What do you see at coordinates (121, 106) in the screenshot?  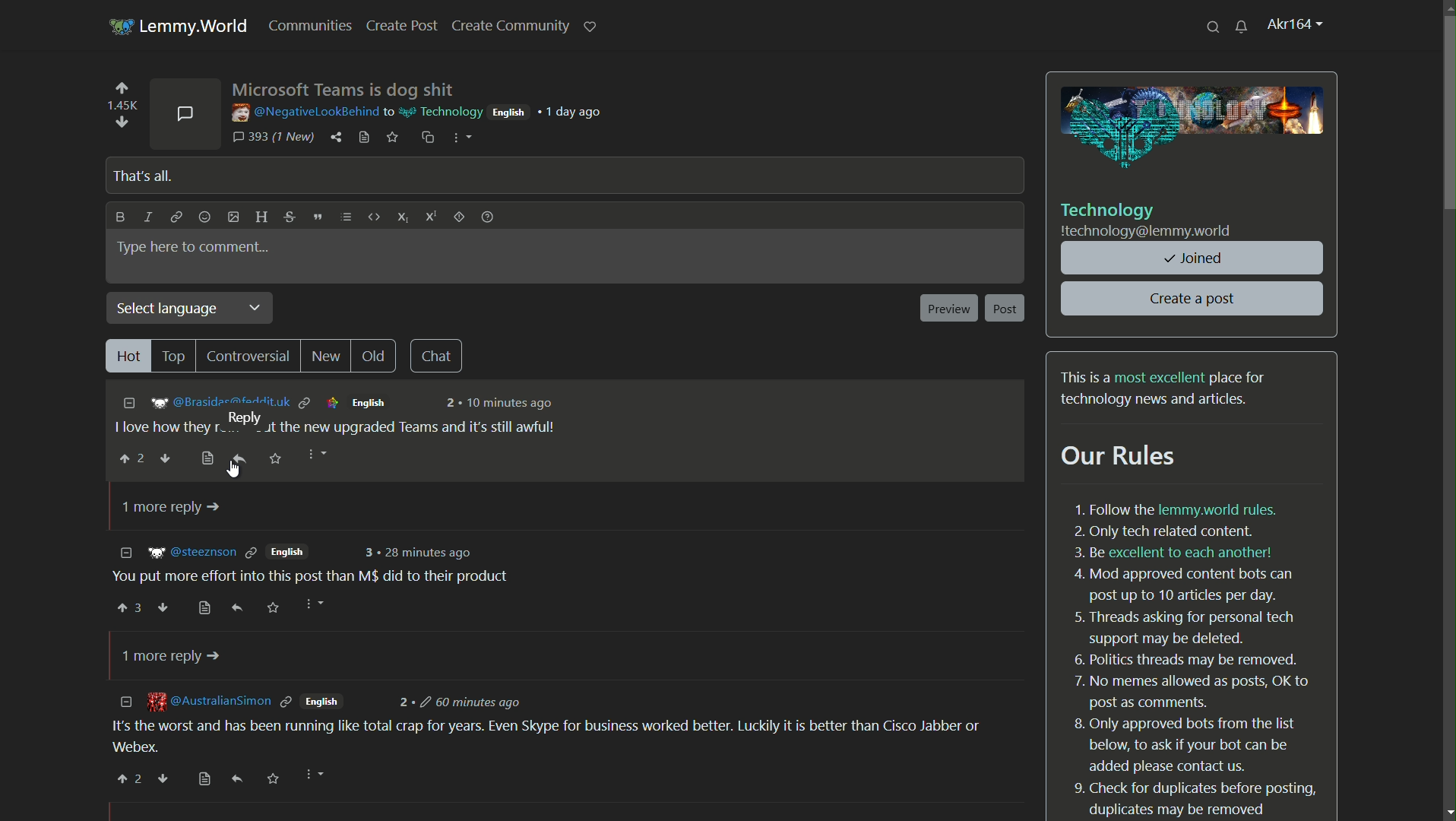 I see `number of votes` at bounding box center [121, 106].